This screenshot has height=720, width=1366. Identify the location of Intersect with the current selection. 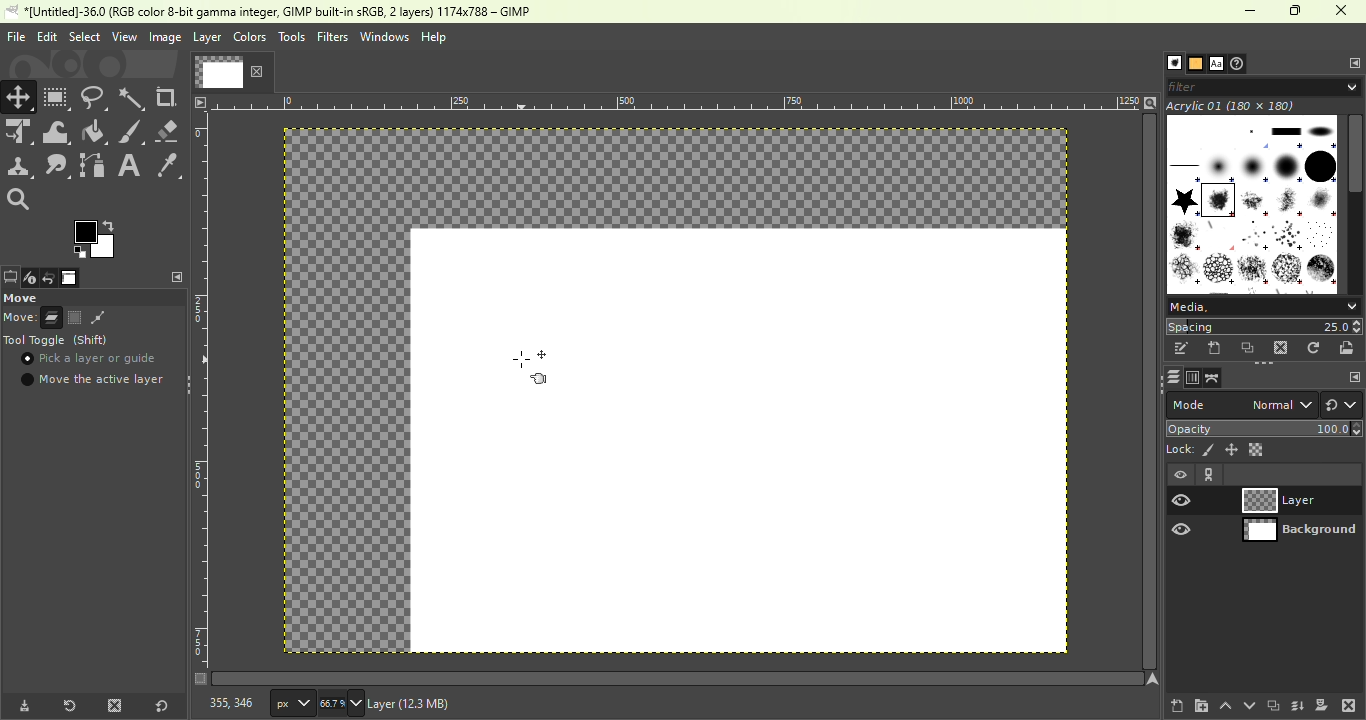
(126, 317).